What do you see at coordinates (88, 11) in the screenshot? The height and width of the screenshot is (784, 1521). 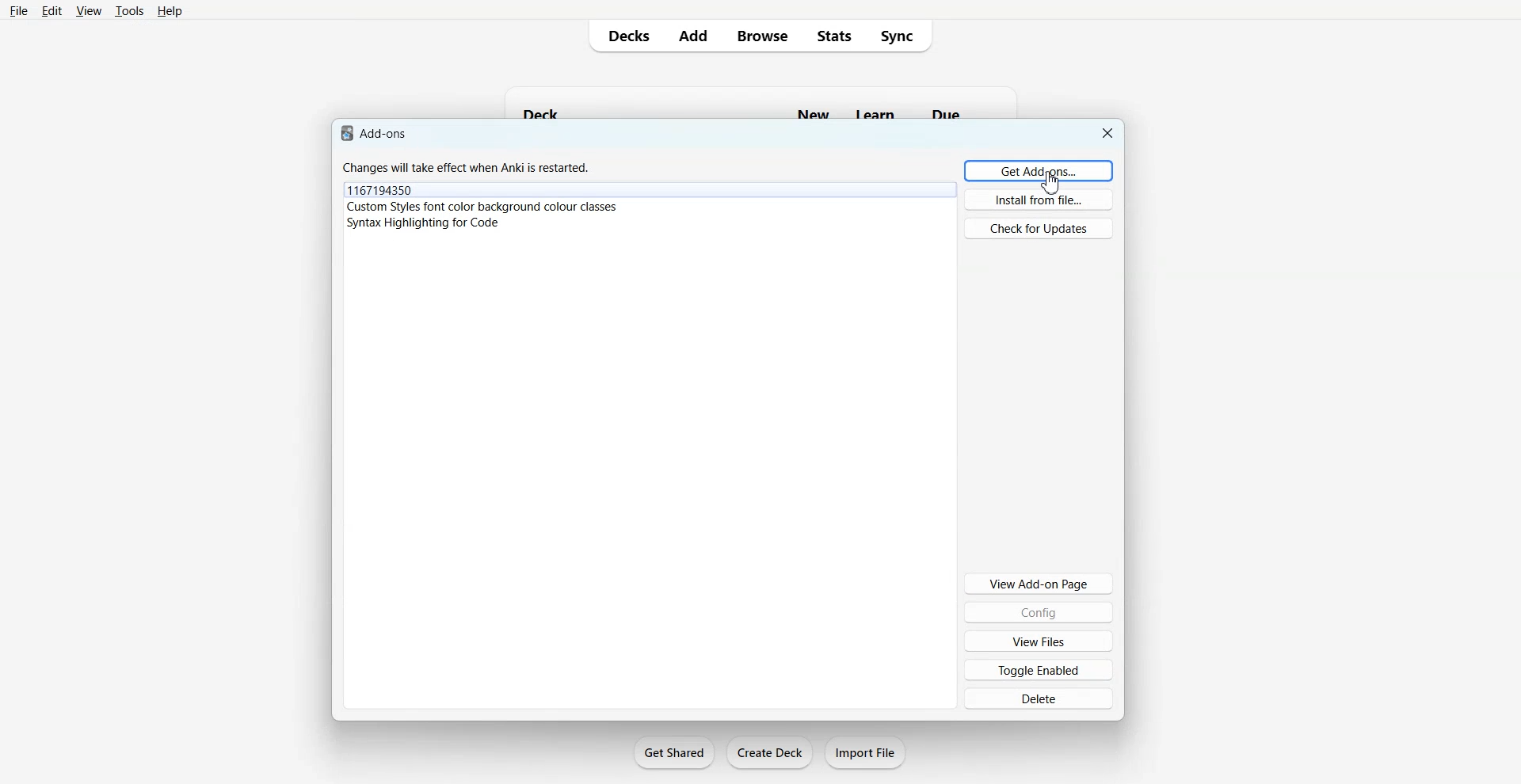 I see `View` at bounding box center [88, 11].